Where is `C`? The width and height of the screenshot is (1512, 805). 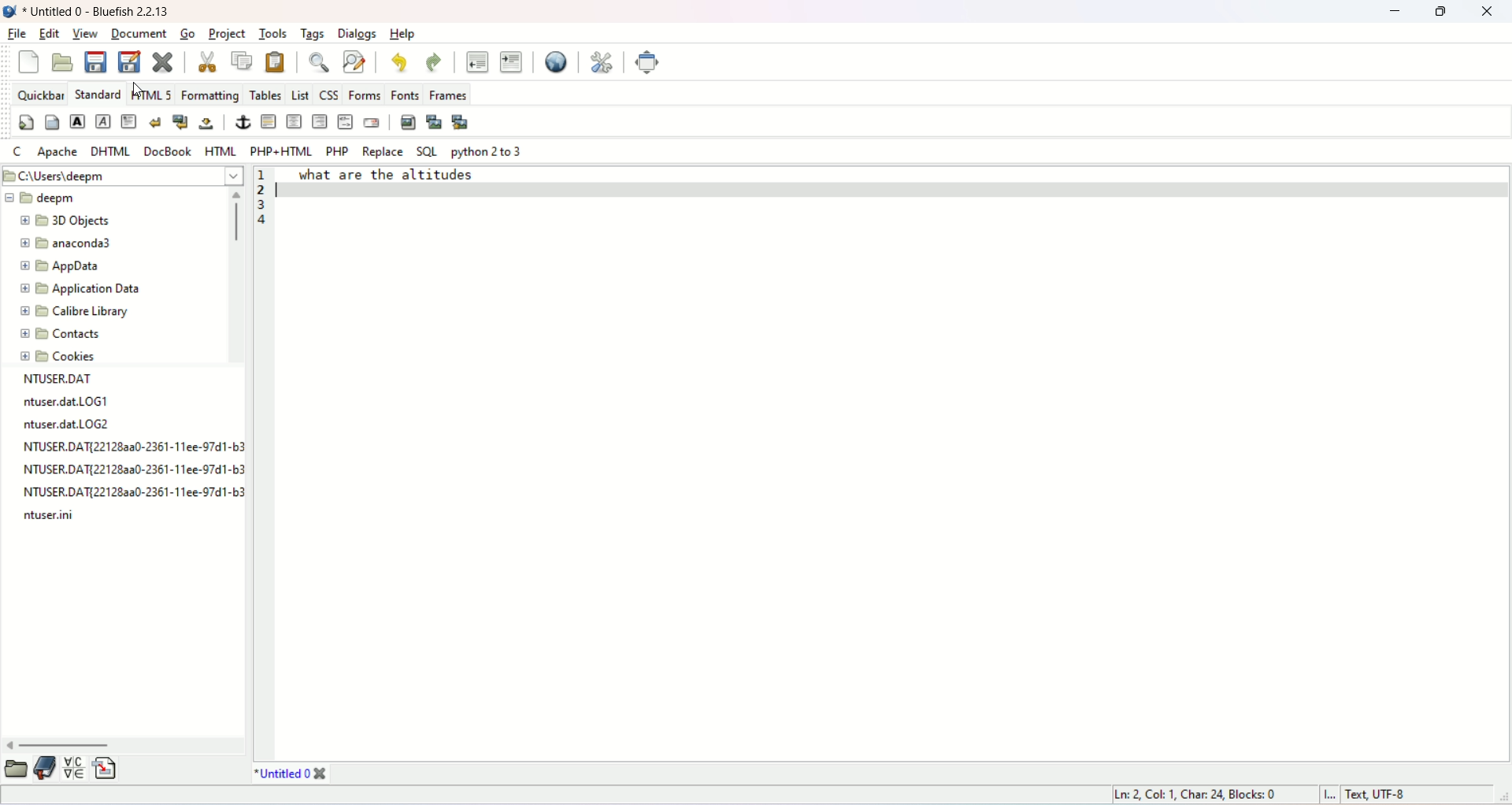
C is located at coordinates (16, 151).